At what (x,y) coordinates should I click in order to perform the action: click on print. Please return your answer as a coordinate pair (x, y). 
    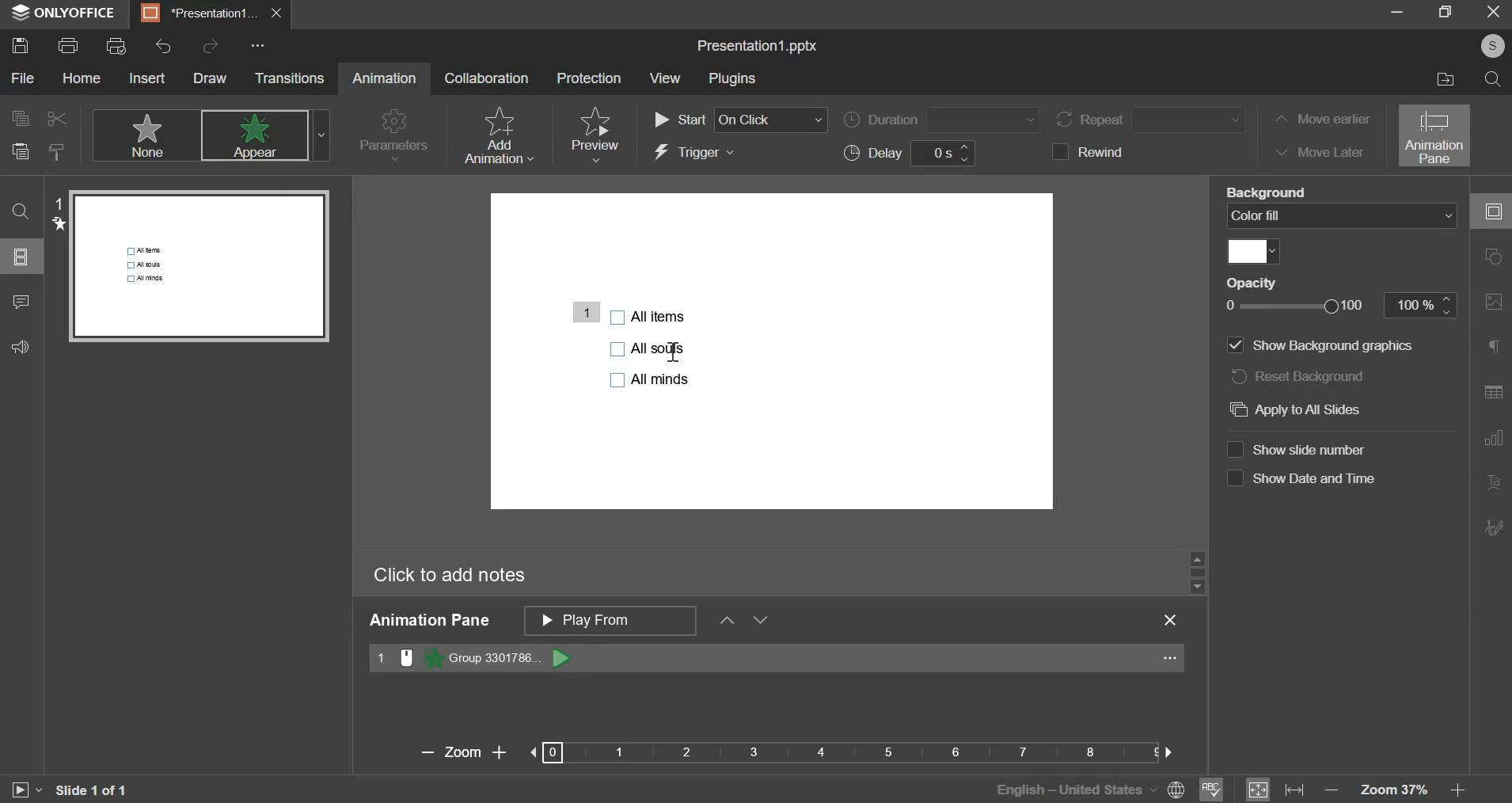
    Looking at the image, I should click on (68, 44).